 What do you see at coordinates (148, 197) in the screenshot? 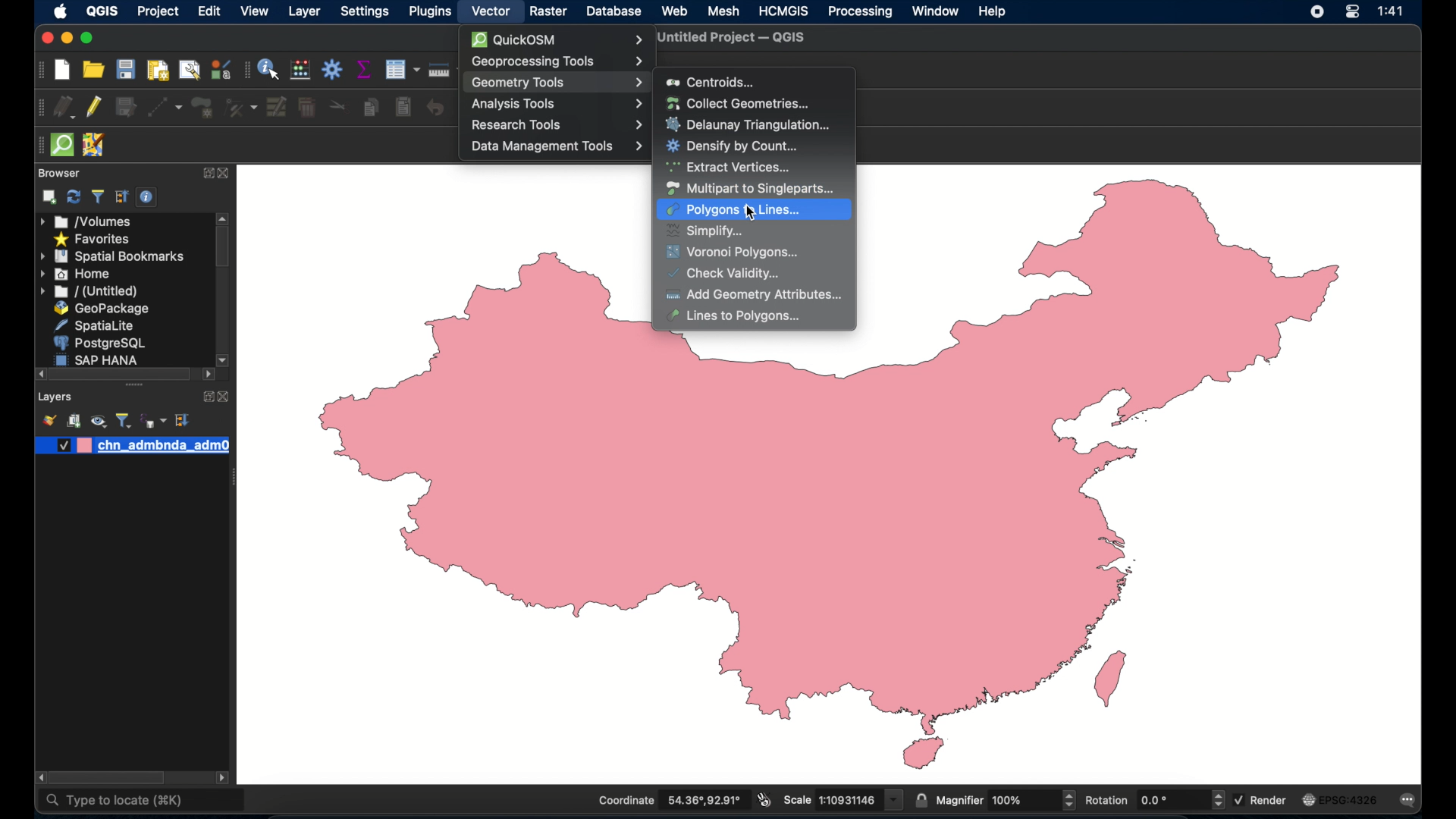
I see `enable/disable properties widget` at bounding box center [148, 197].